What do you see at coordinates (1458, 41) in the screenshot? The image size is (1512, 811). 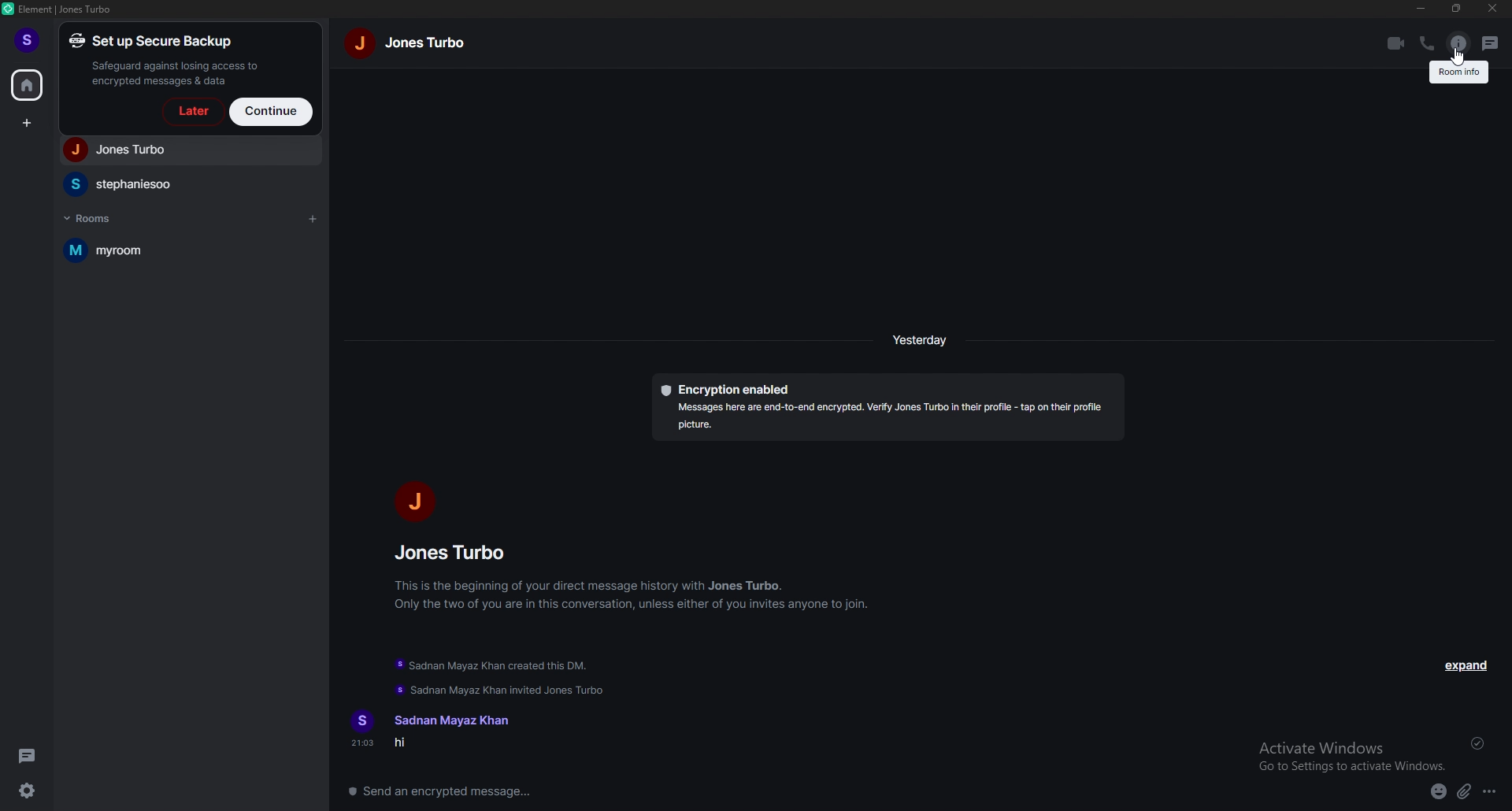 I see `room info` at bounding box center [1458, 41].